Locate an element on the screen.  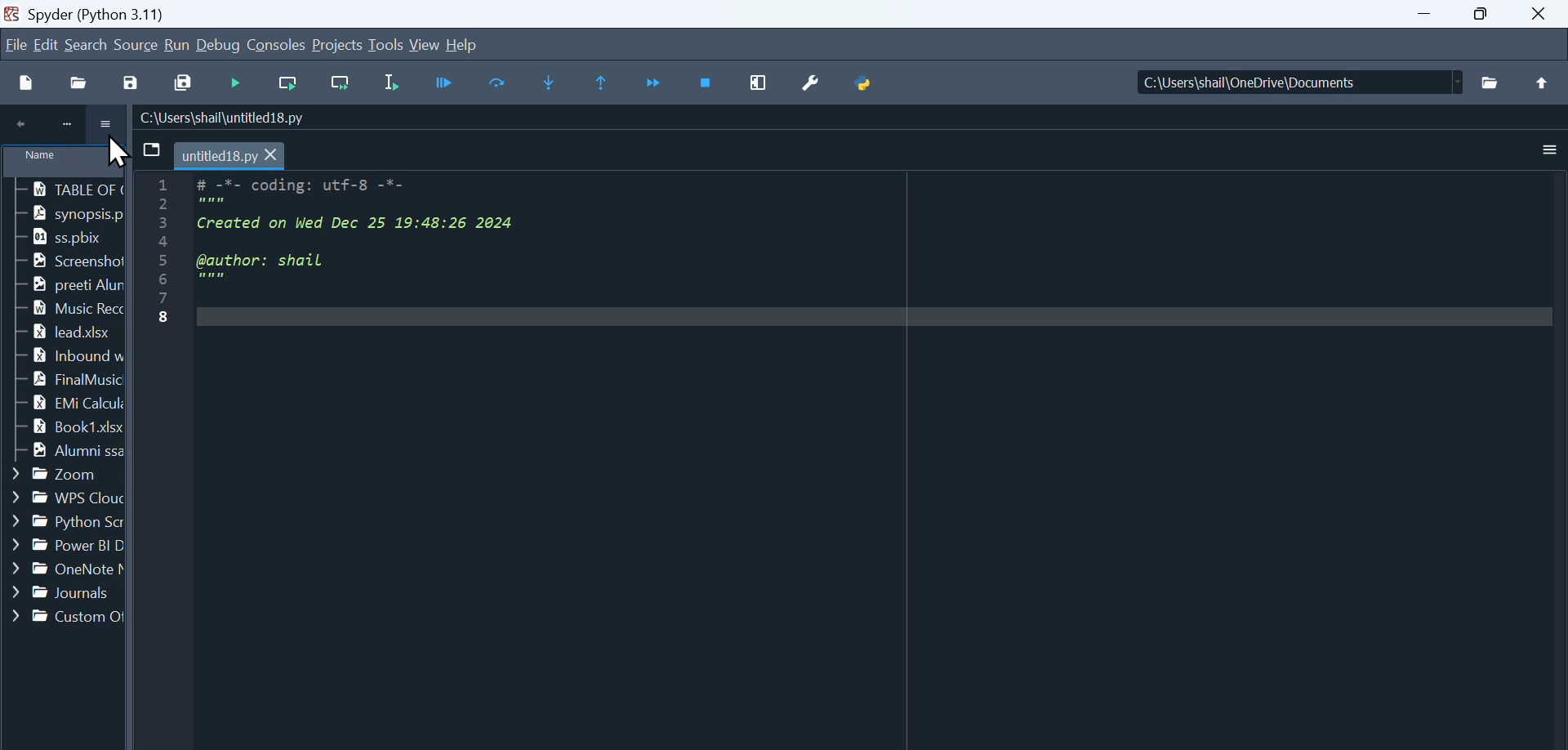
preeti Alur. is located at coordinates (63, 286).